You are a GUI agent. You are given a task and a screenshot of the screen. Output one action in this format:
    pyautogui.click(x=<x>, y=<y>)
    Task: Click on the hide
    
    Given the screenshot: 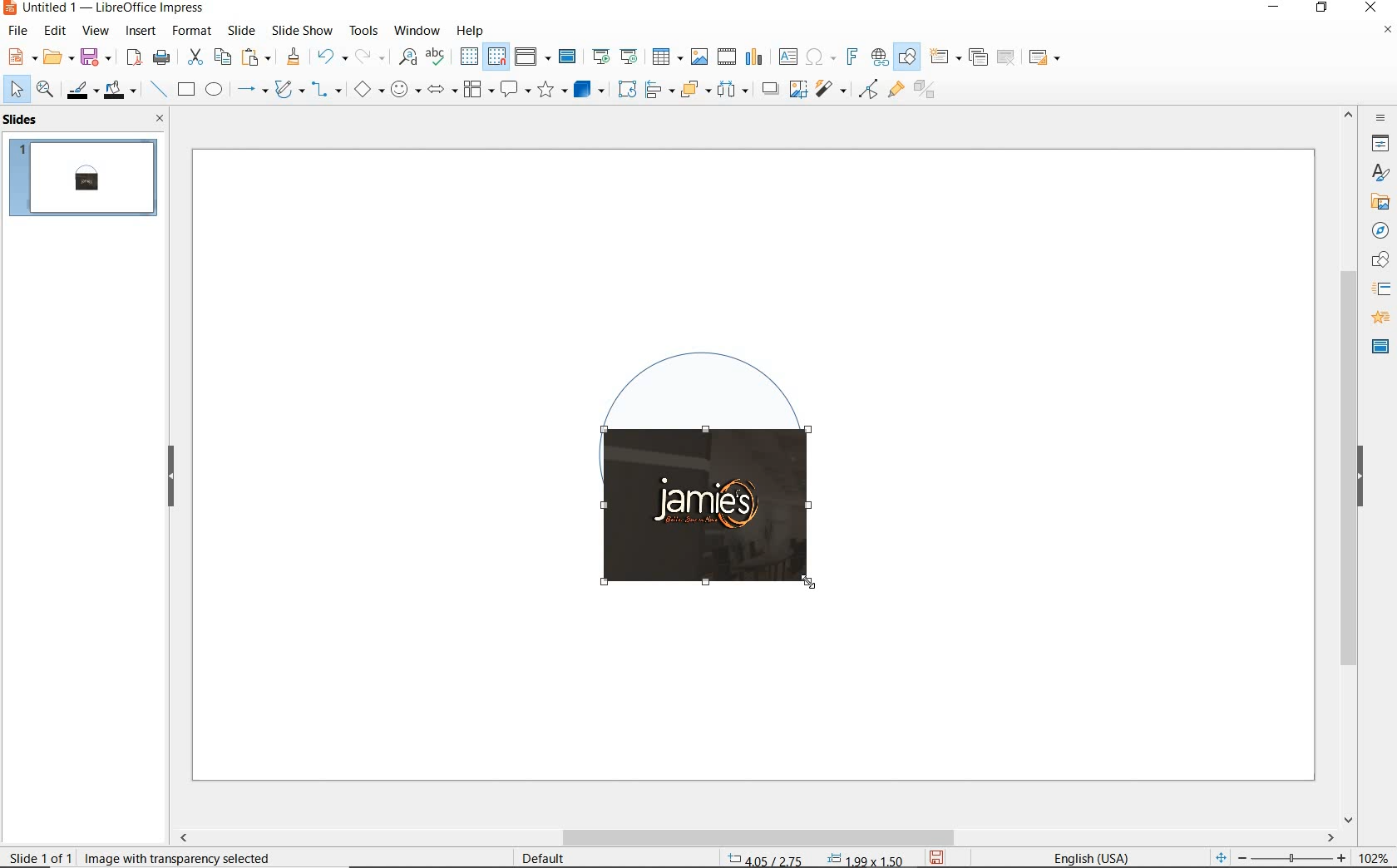 What is the action you would take?
    pyautogui.click(x=171, y=477)
    